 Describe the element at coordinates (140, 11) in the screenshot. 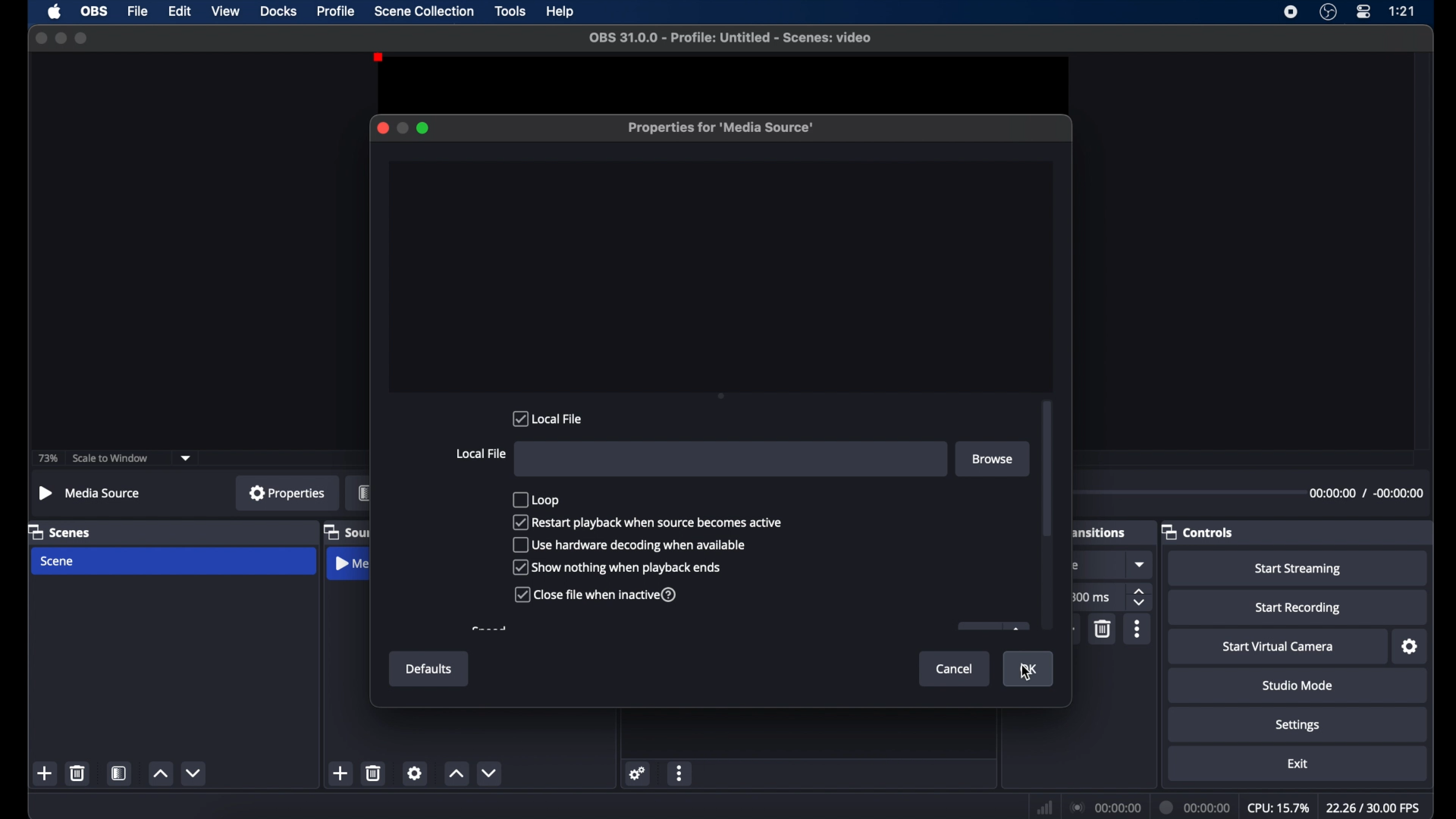

I see `file` at that location.